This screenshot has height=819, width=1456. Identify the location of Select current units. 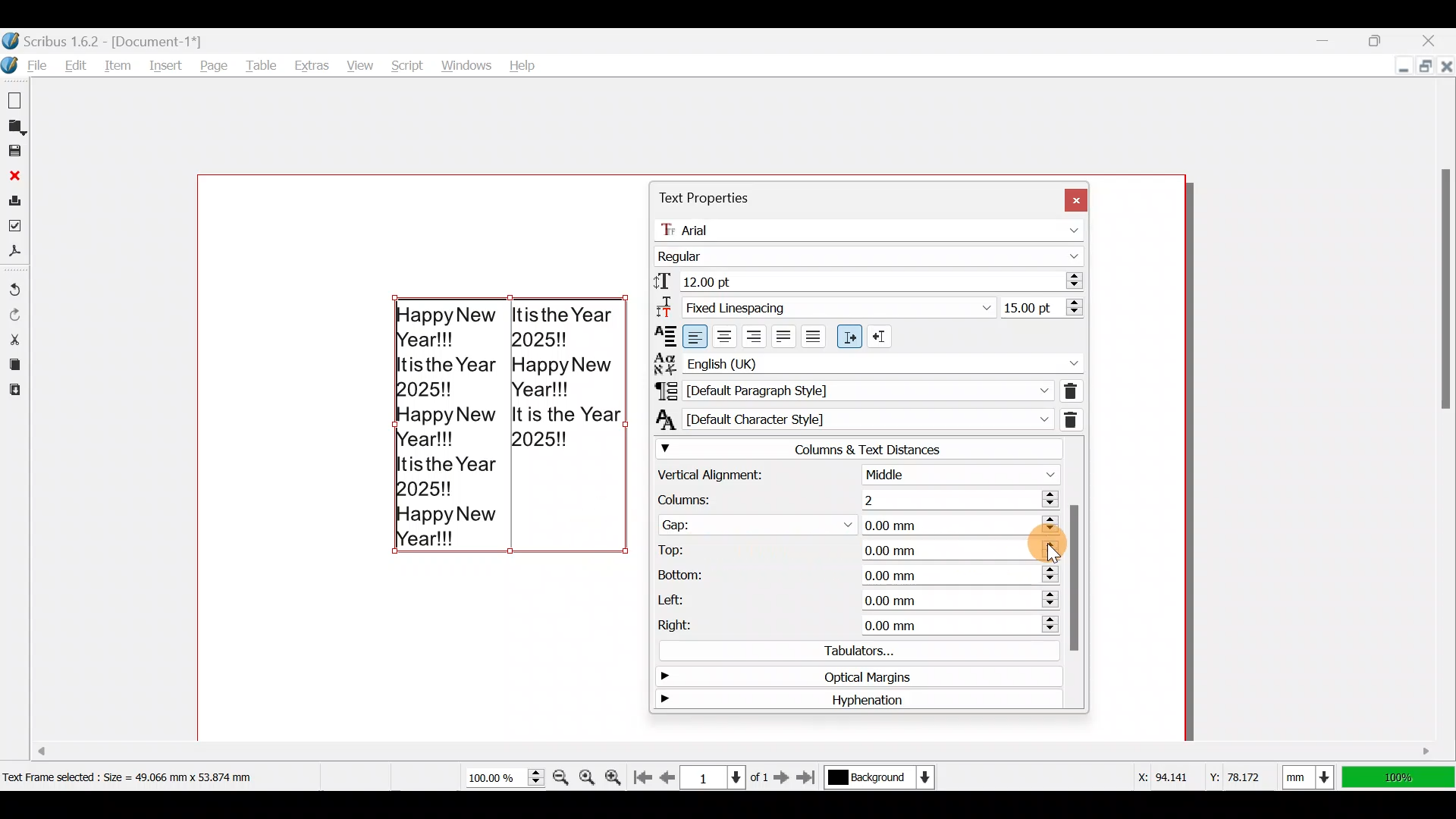
(1312, 774).